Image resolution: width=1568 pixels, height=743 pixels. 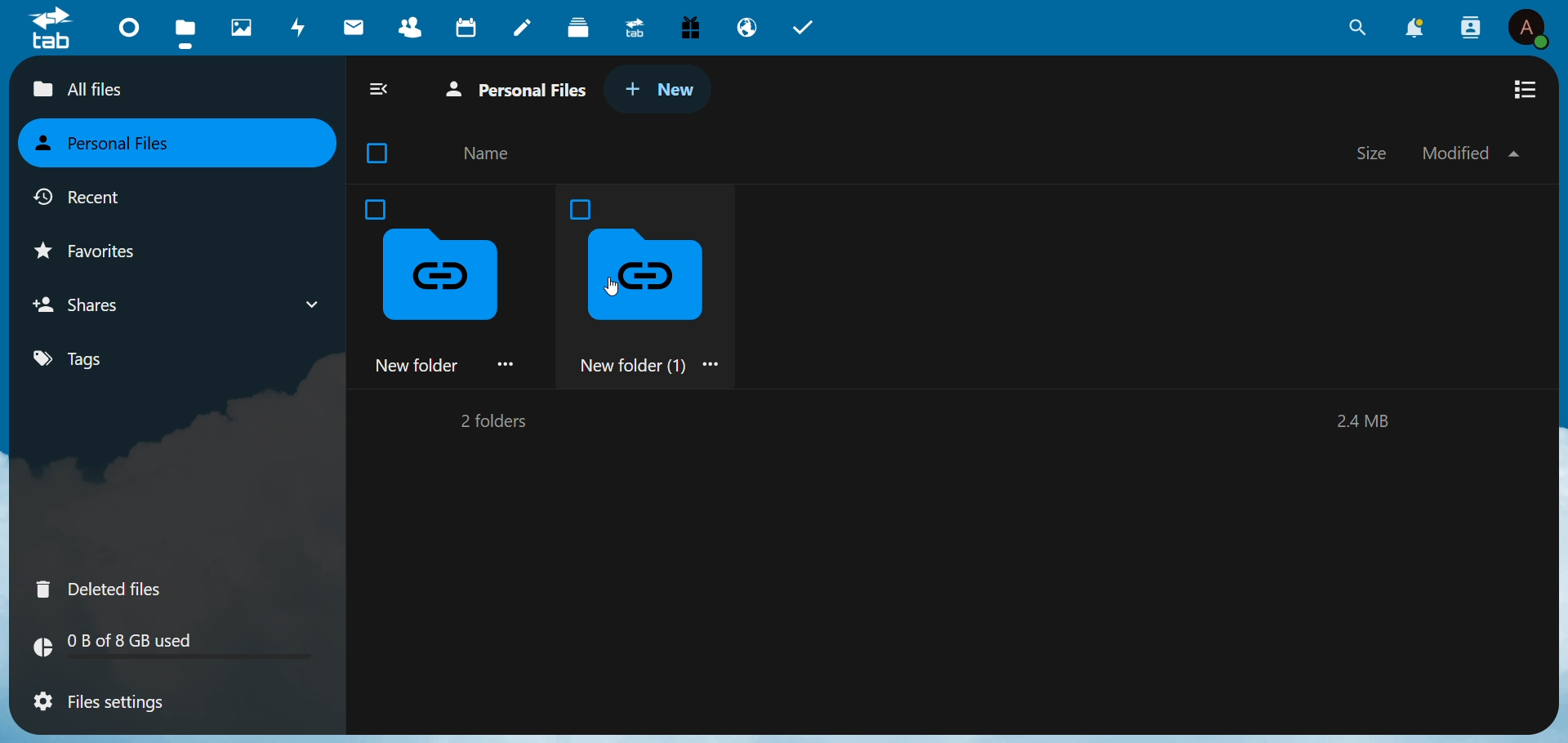 What do you see at coordinates (612, 287) in the screenshot?
I see `cursor` at bounding box center [612, 287].